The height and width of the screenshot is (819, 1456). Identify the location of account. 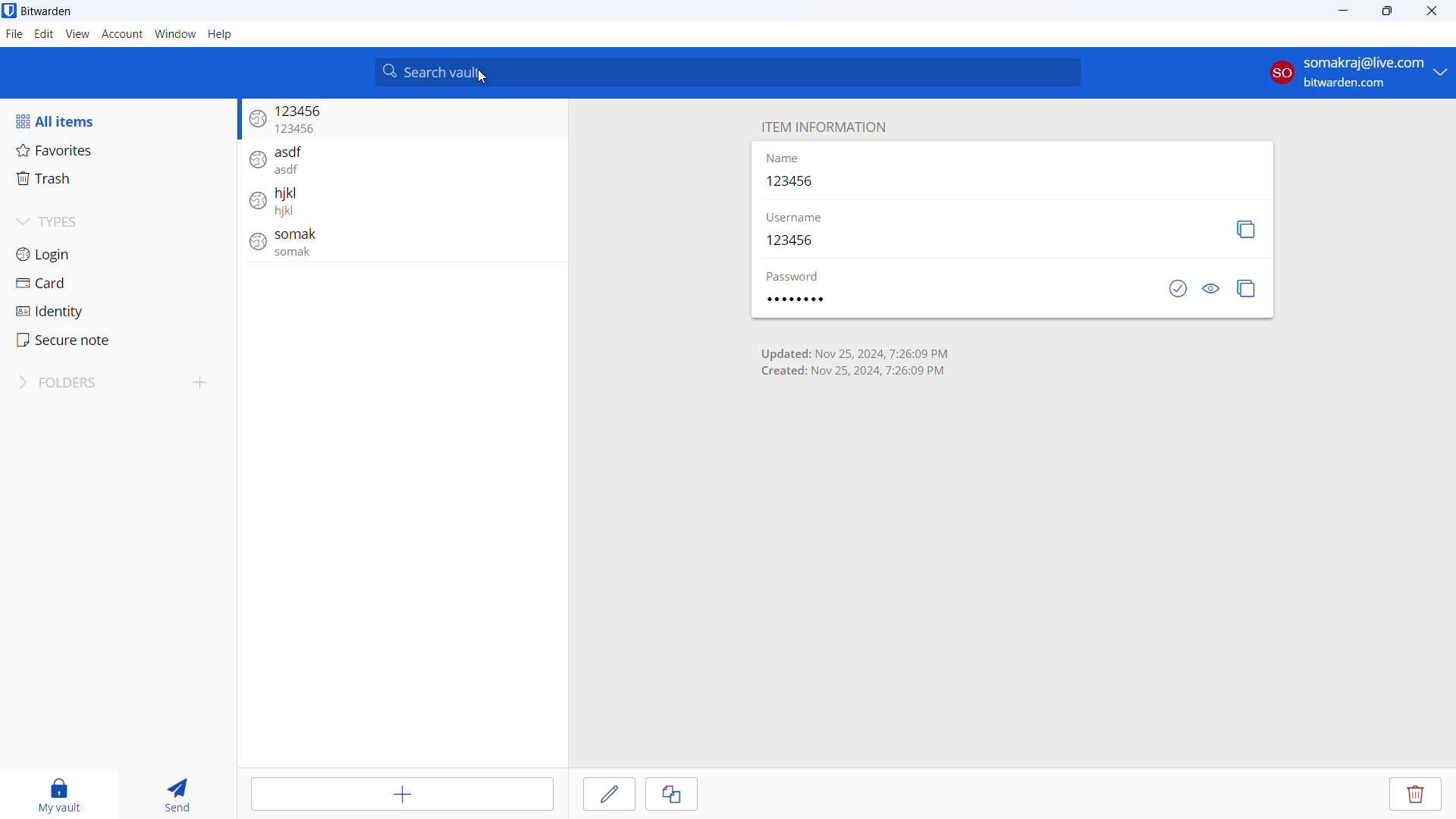
(124, 35).